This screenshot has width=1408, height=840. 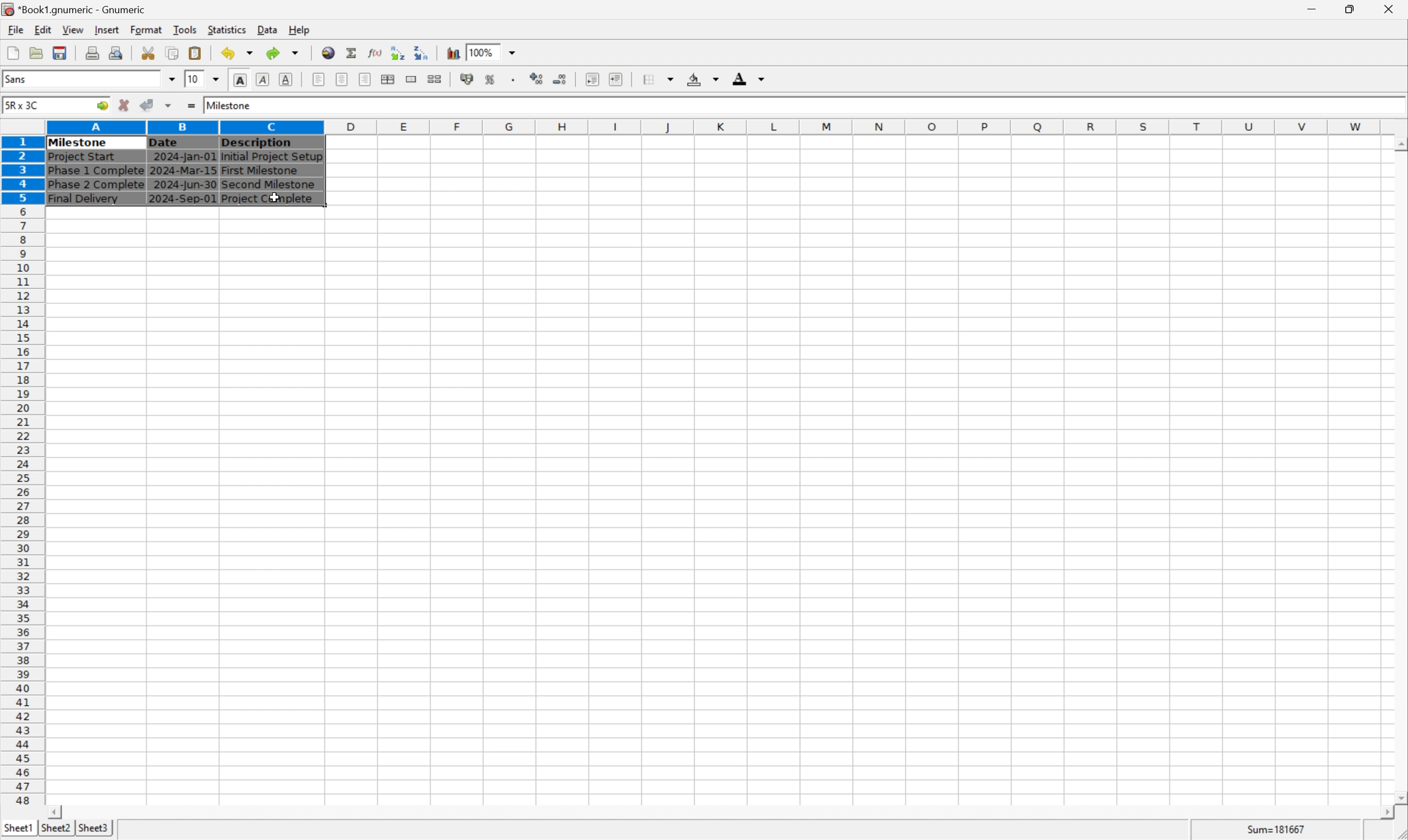 What do you see at coordinates (716, 126) in the screenshot?
I see `column names` at bounding box center [716, 126].